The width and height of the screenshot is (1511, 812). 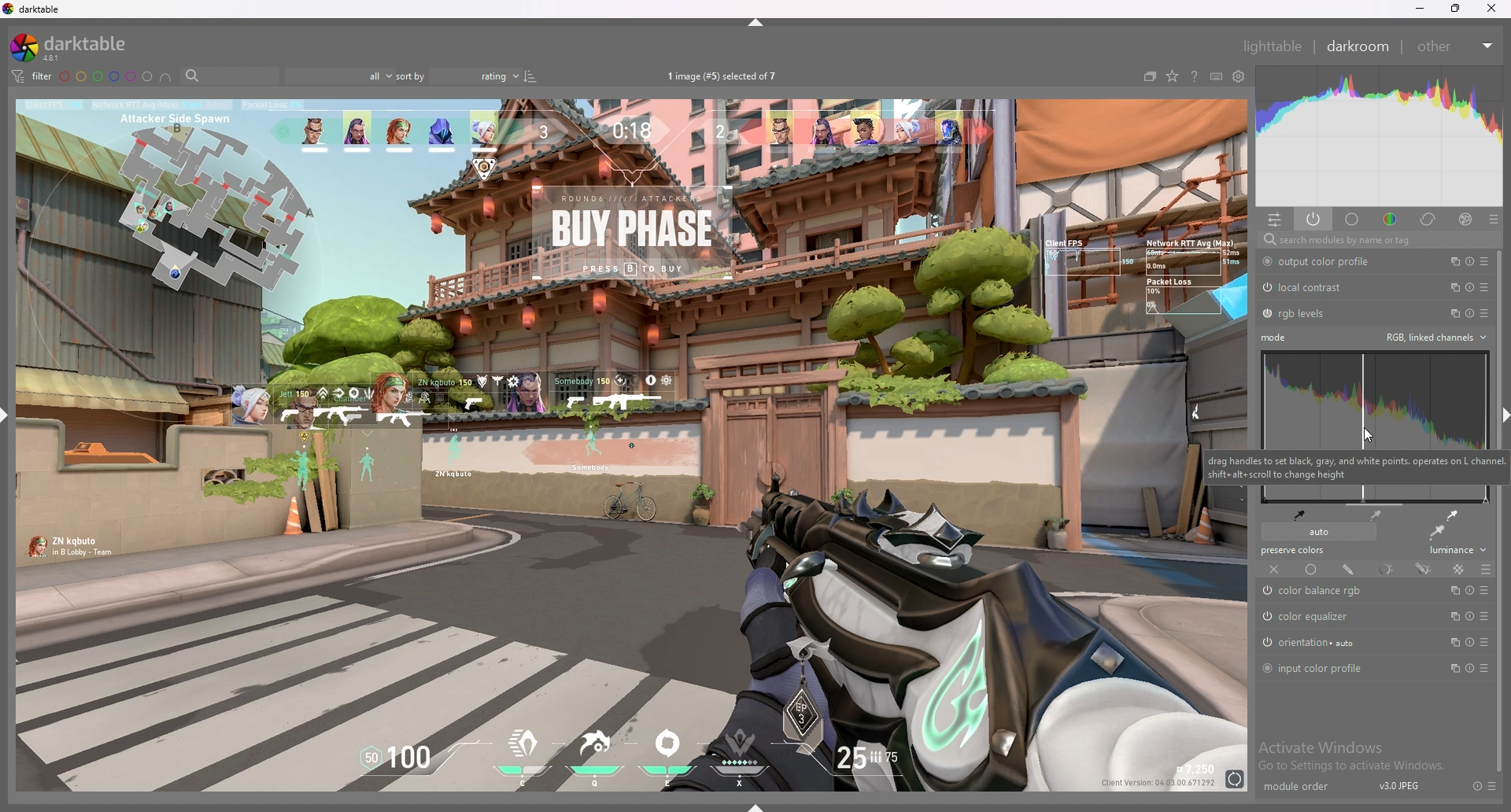 What do you see at coordinates (1436, 533) in the screenshot?
I see `apply auto` at bounding box center [1436, 533].